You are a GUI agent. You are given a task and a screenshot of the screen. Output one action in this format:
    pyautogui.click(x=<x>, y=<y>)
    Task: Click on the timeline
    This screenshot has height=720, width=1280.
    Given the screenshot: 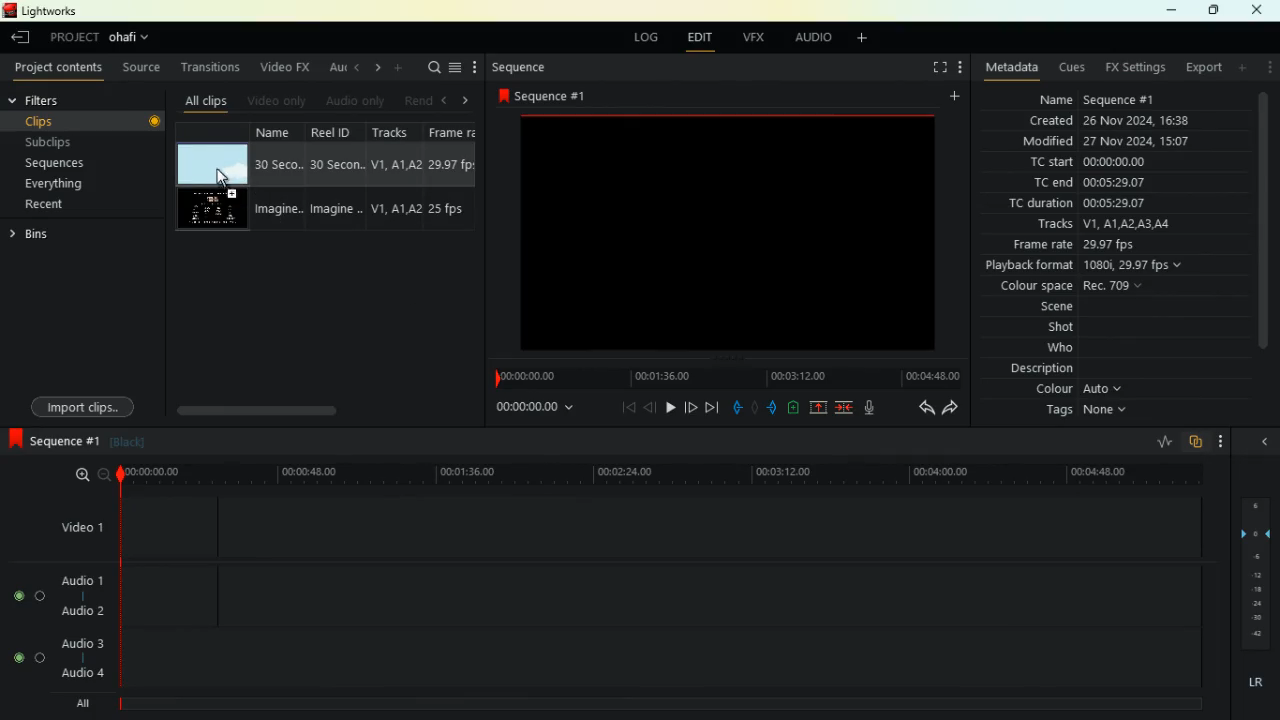 What is the action you would take?
    pyautogui.click(x=658, y=474)
    